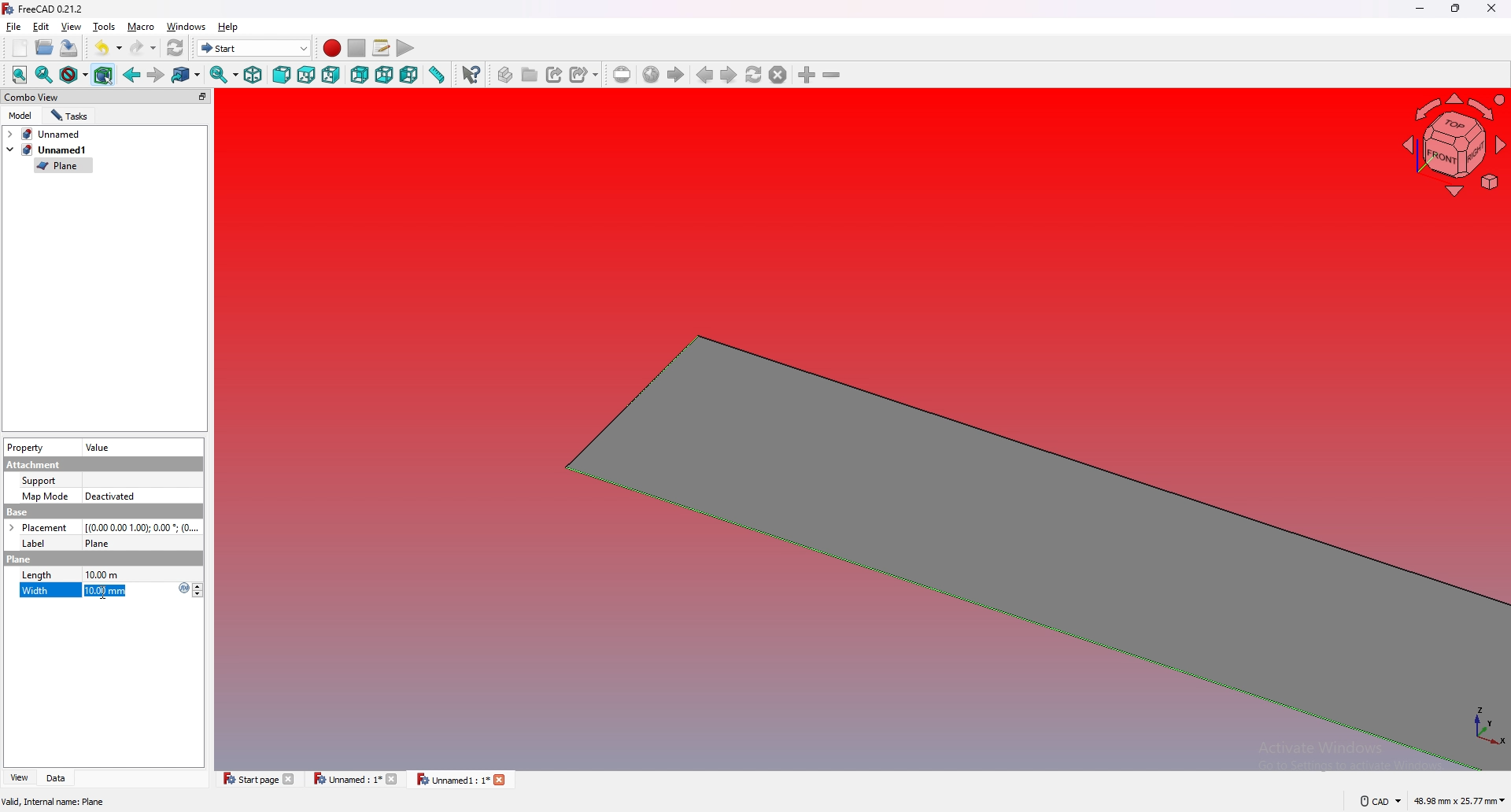 This screenshot has height=812, width=1511. Describe the element at coordinates (25, 448) in the screenshot. I see `property` at that location.